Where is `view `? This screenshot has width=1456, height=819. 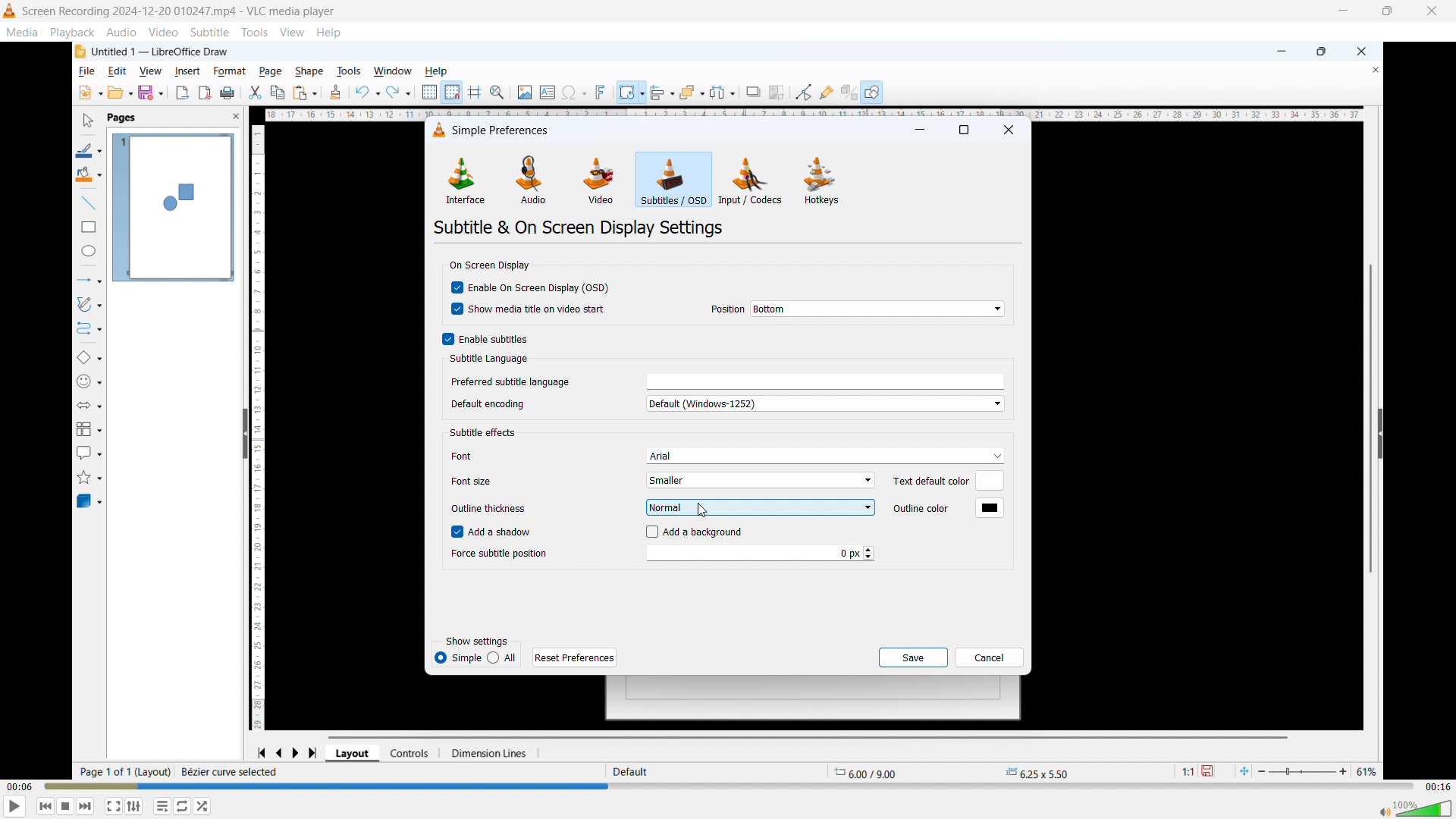 view  is located at coordinates (291, 32).